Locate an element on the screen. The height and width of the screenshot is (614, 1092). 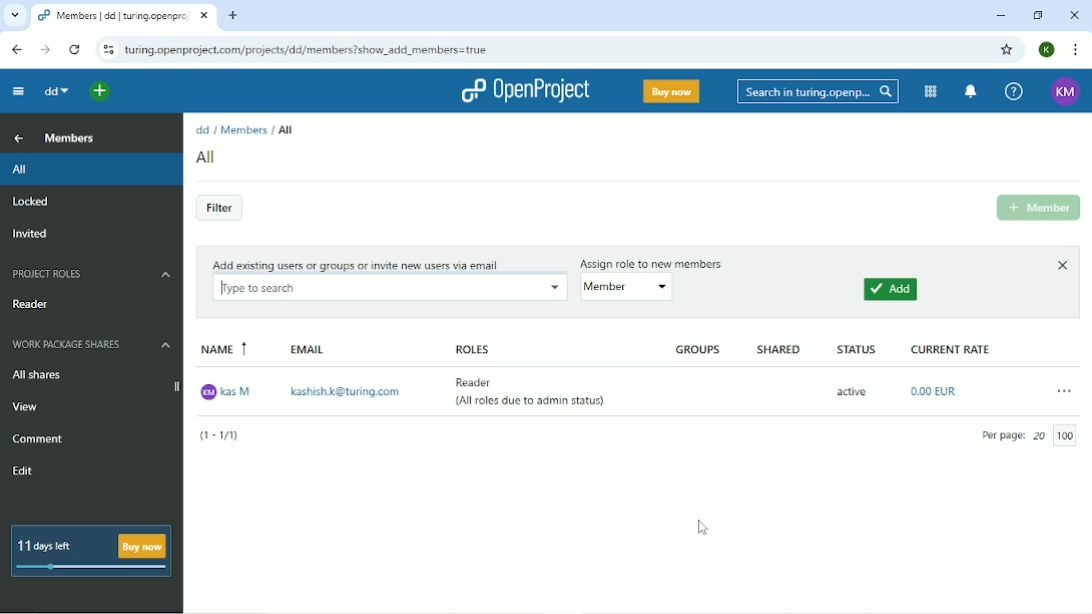
View site information is located at coordinates (106, 48).